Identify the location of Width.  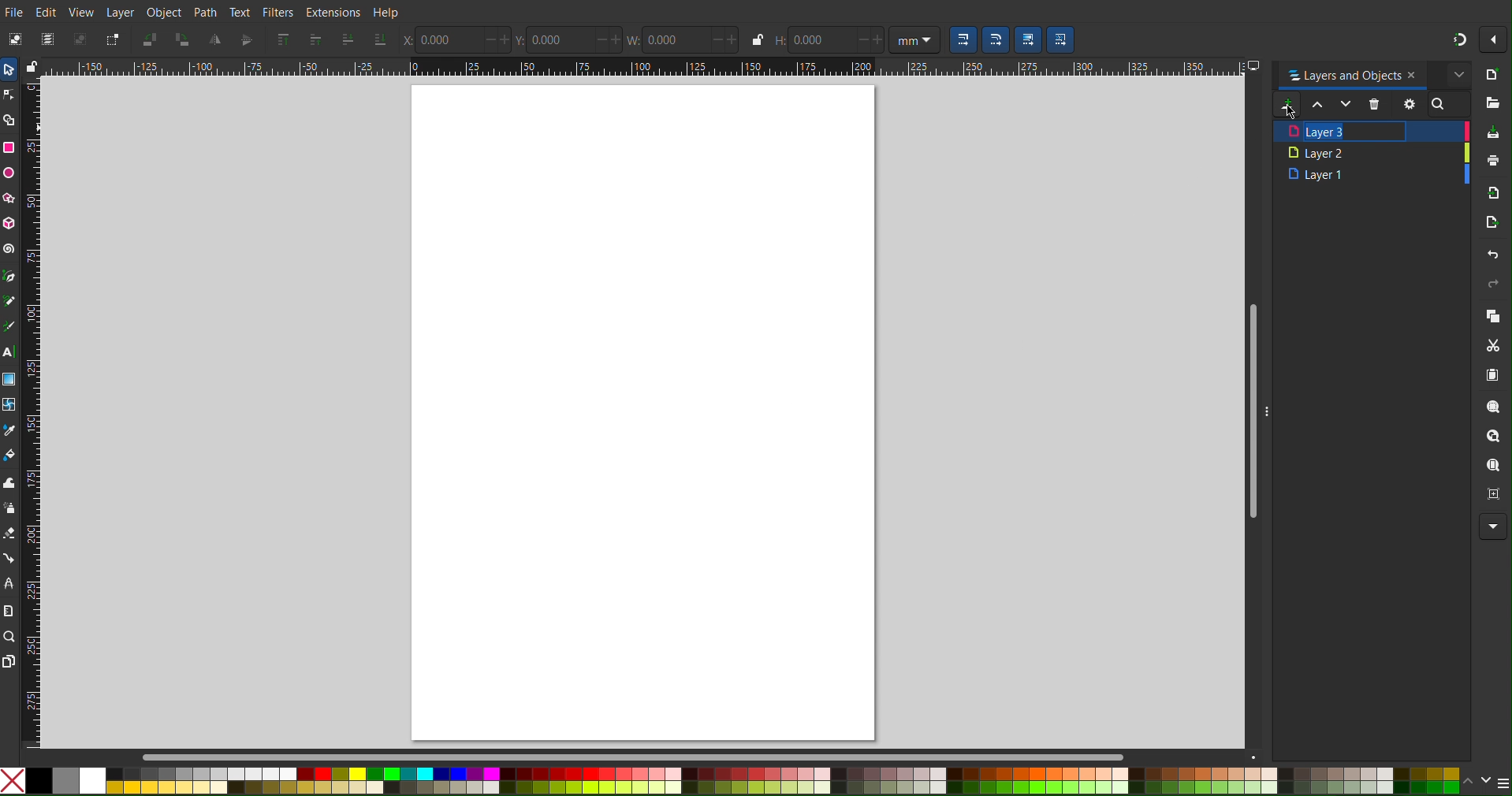
(686, 41).